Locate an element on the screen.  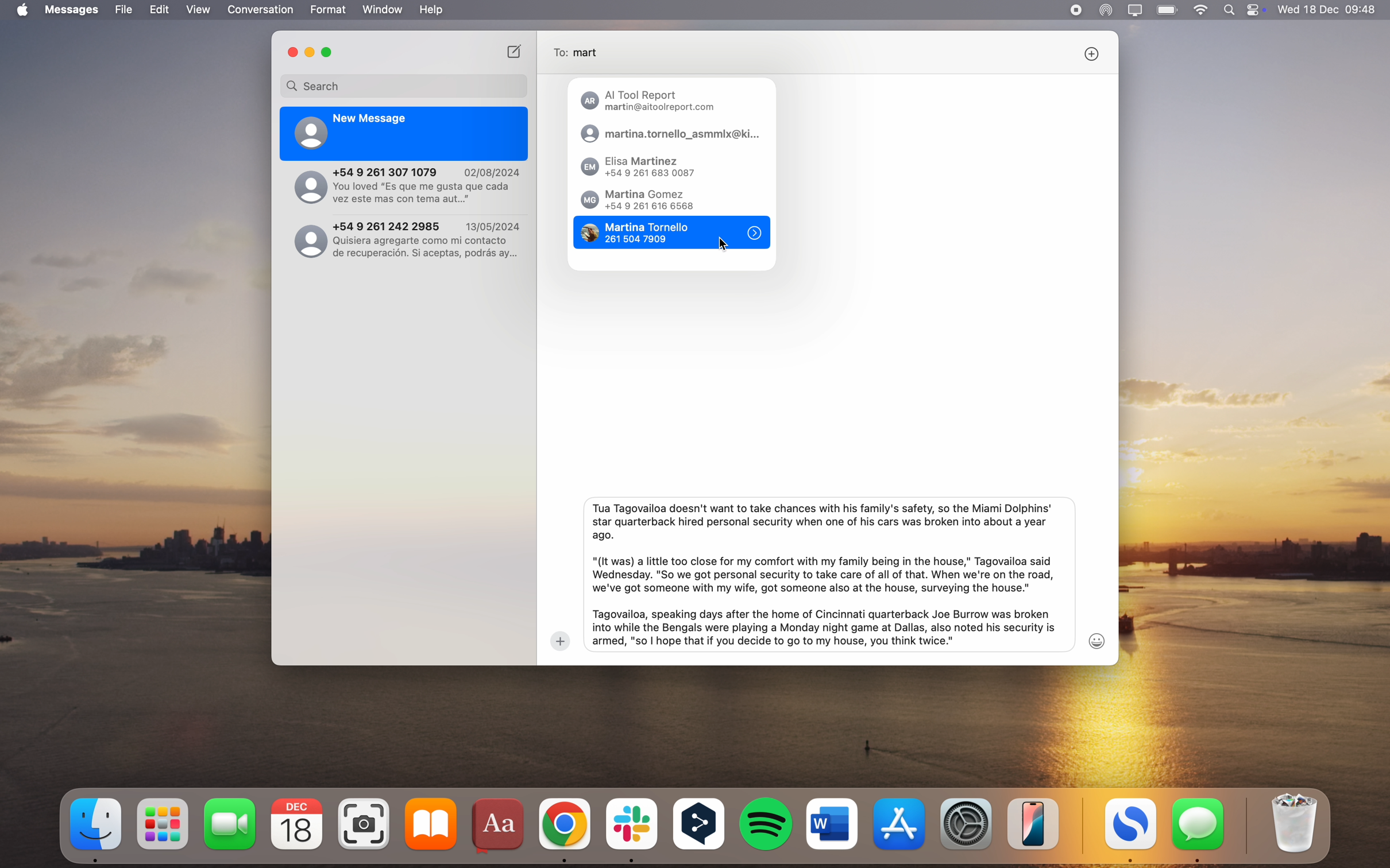
facetime is located at coordinates (230, 823).